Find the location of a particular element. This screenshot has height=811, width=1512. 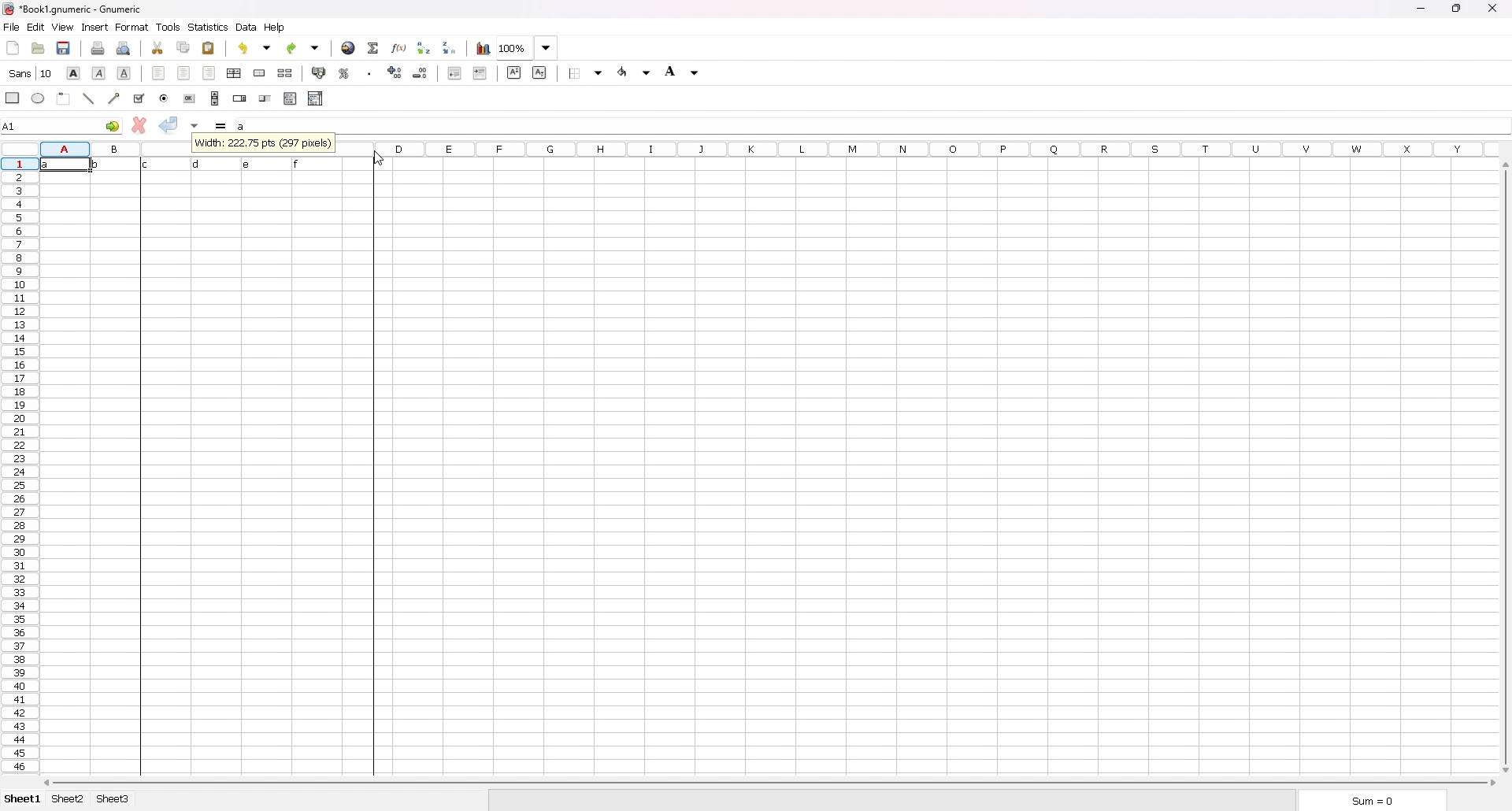

format is located at coordinates (132, 27).